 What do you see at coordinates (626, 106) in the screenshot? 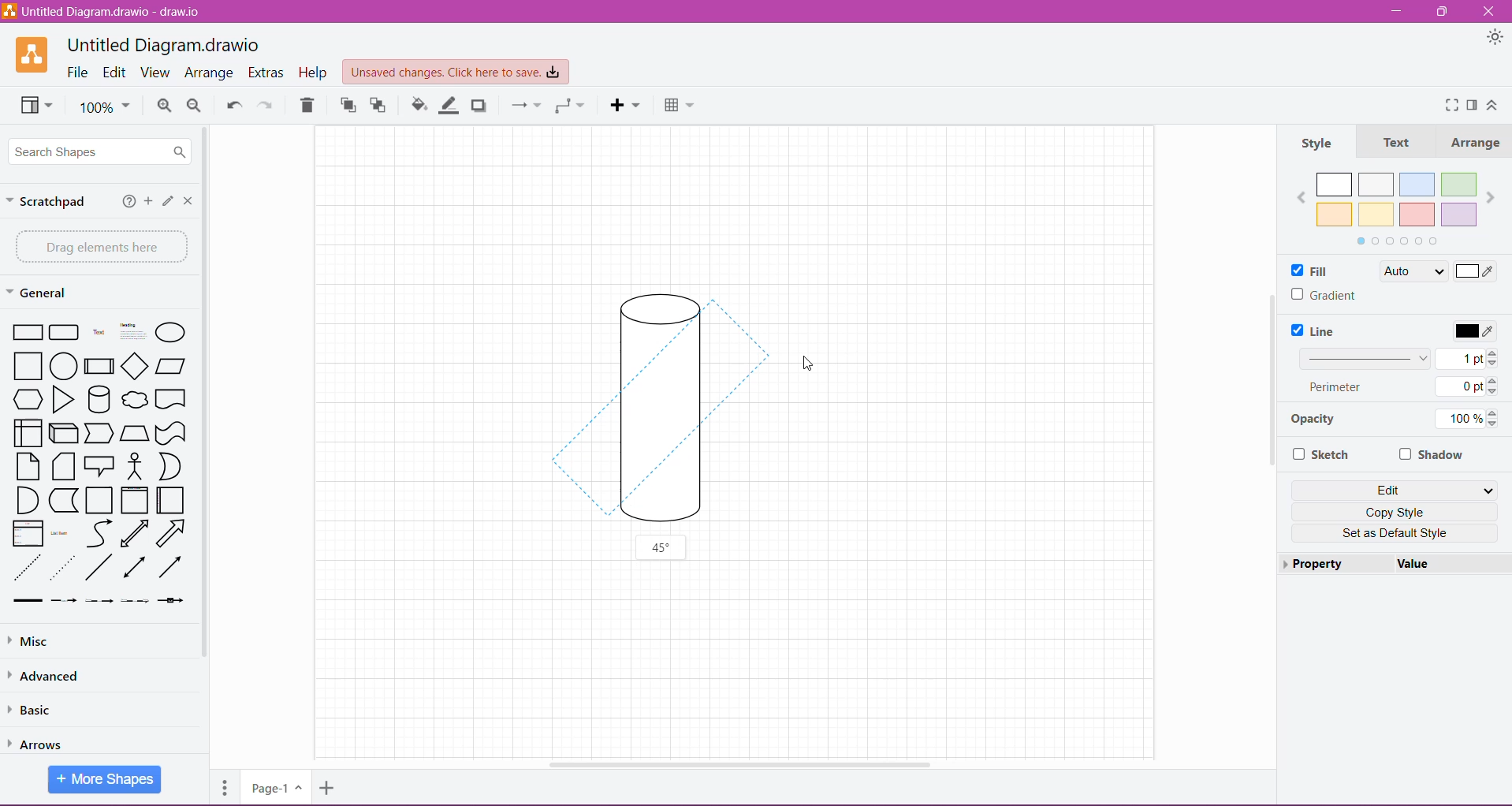
I see `` at bounding box center [626, 106].